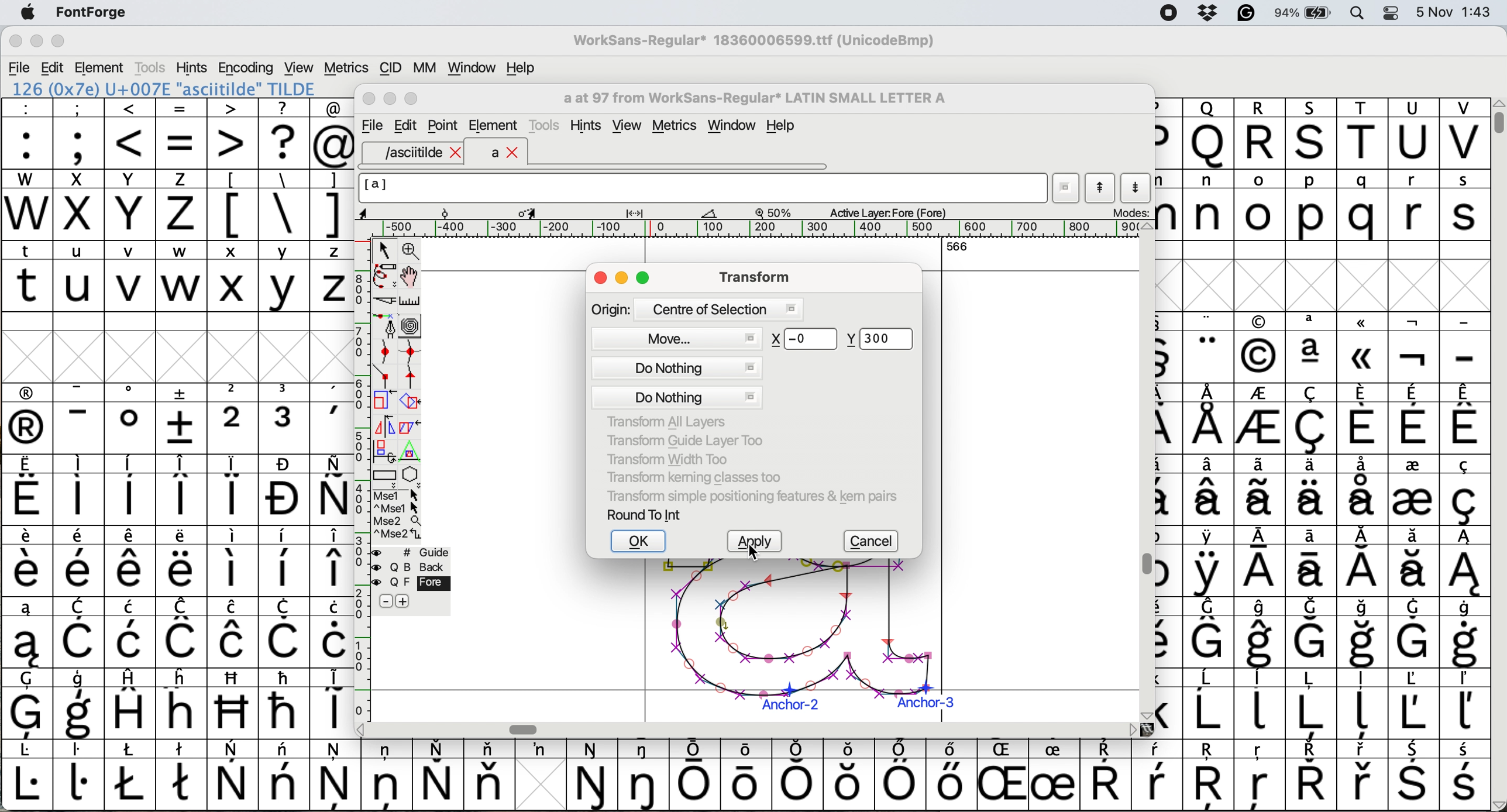 The height and width of the screenshot is (812, 1507). I want to click on , so click(183, 703).